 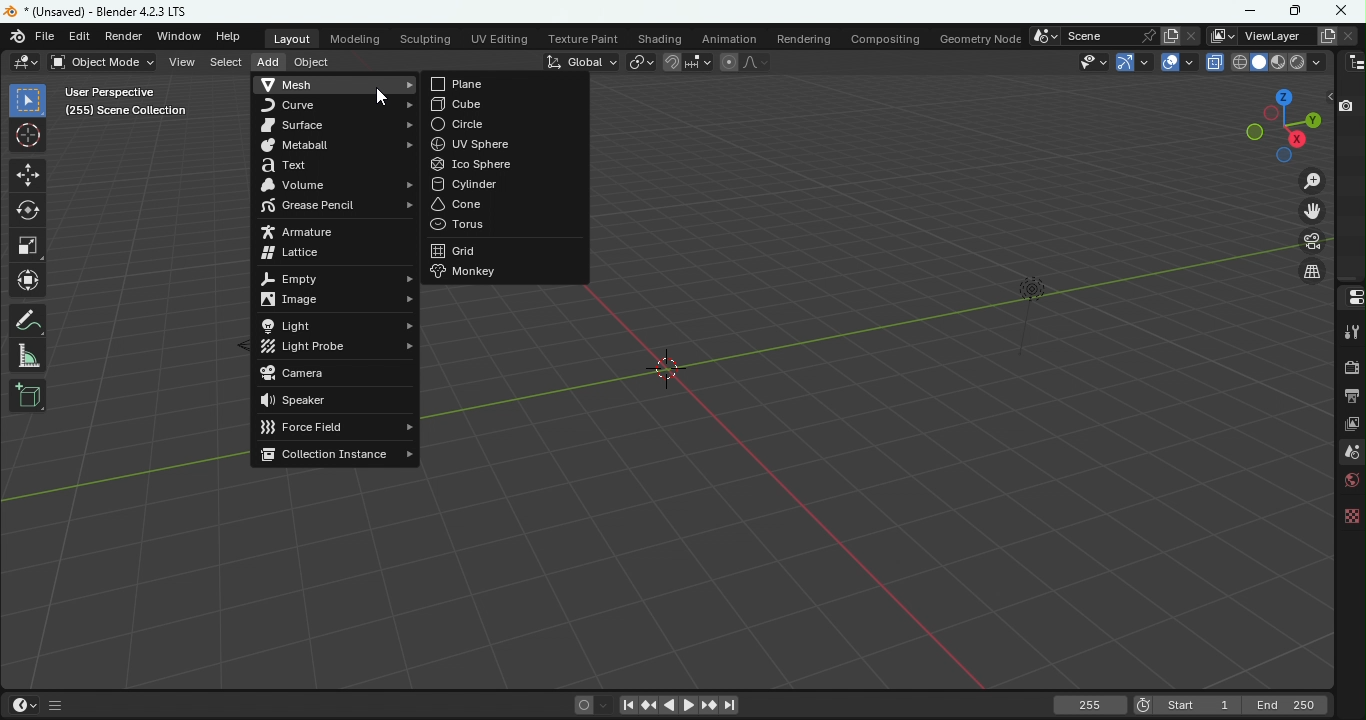 I want to click on New Scene, so click(x=1170, y=35).